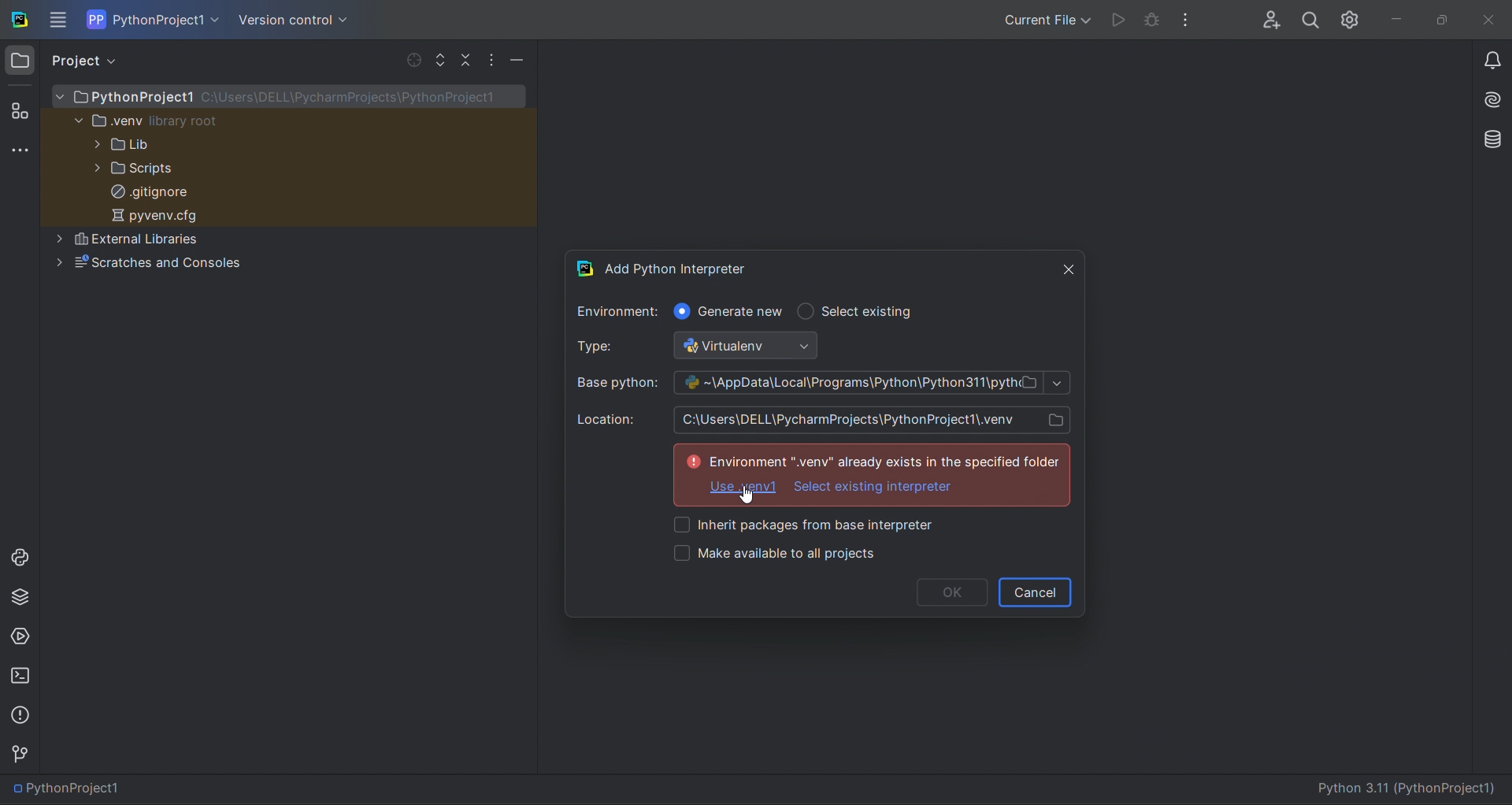 The width and height of the screenshot is (1512, 805). What do you see at coordinates (20, 600) in the screenshot?
I see `python package` at bounding box center [20, 600].